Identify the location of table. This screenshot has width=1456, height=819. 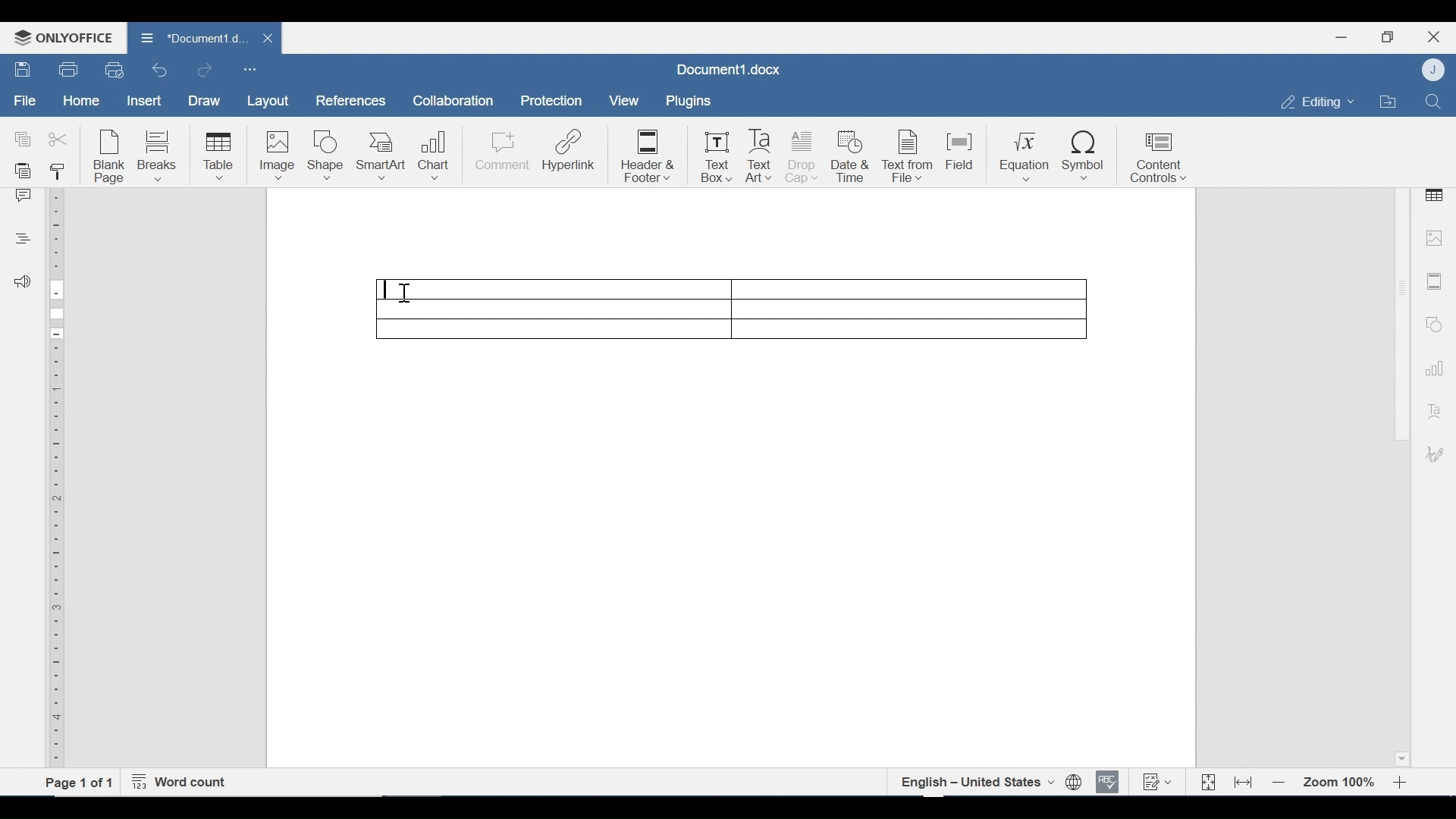
(733, 309).